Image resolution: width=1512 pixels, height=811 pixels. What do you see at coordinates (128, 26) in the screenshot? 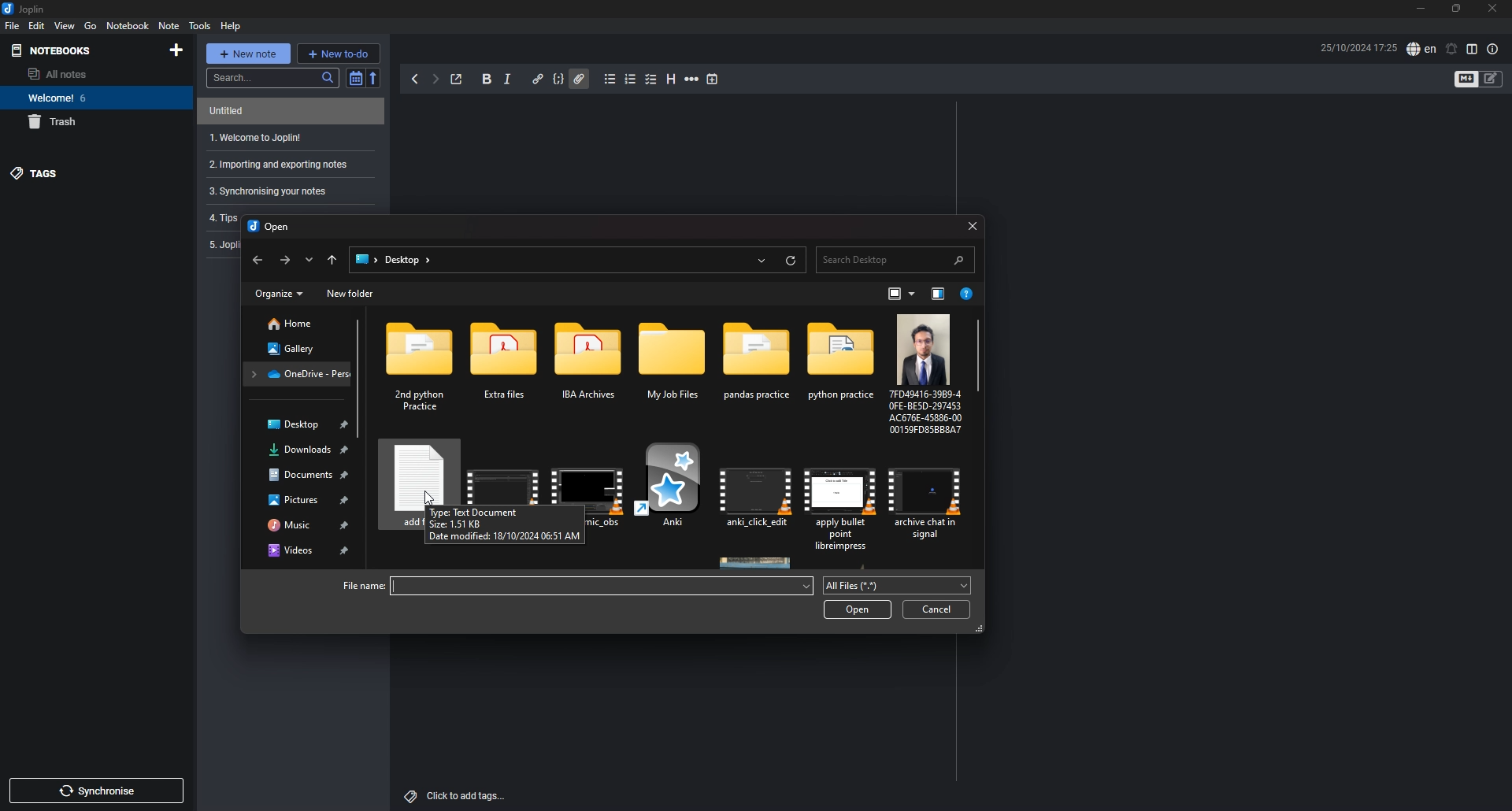
I see `notebook` at bounding box center [128, 26].